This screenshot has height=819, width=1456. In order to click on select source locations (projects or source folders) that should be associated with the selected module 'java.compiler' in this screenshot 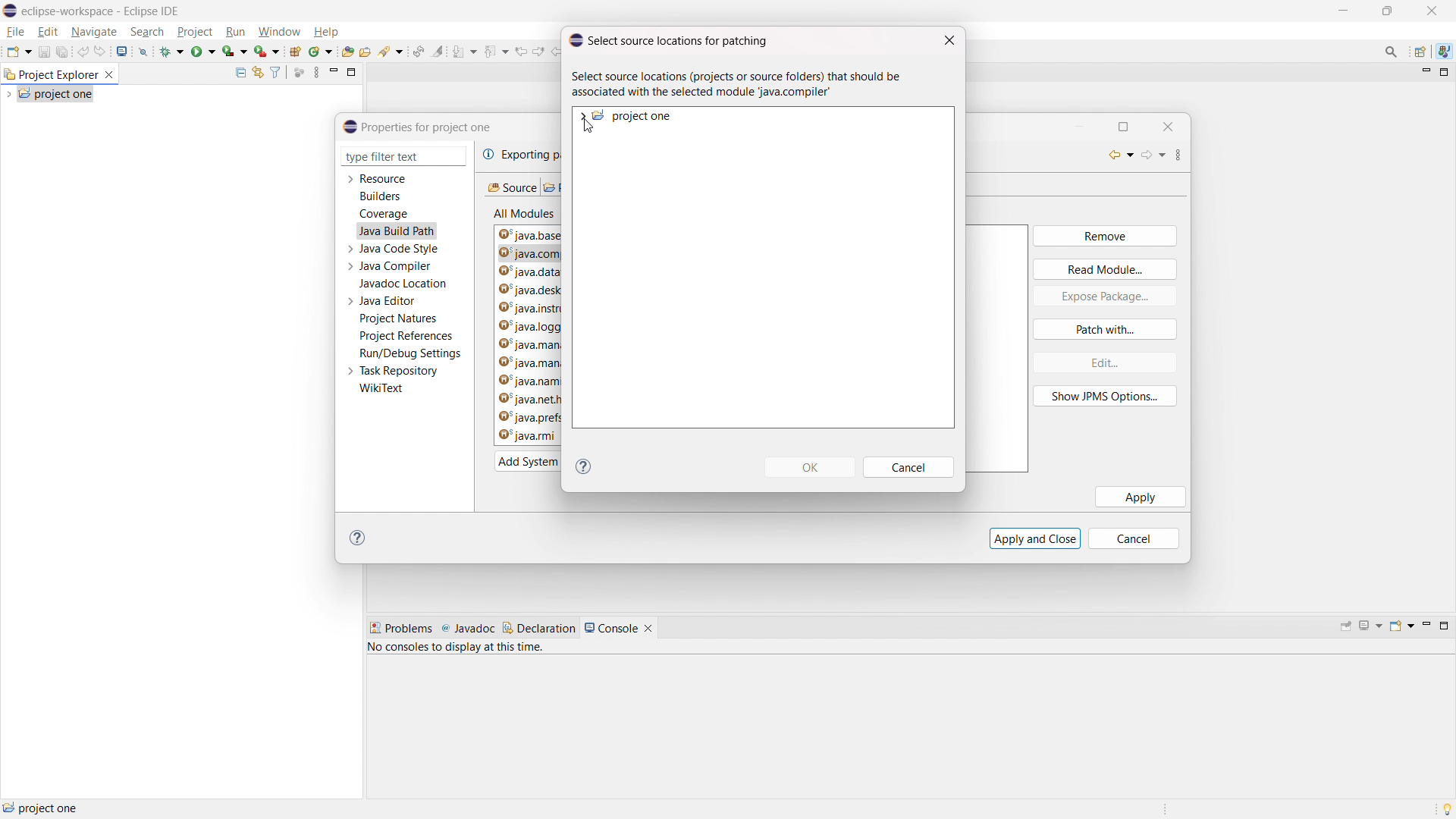, I will do `click(742, 85)`.